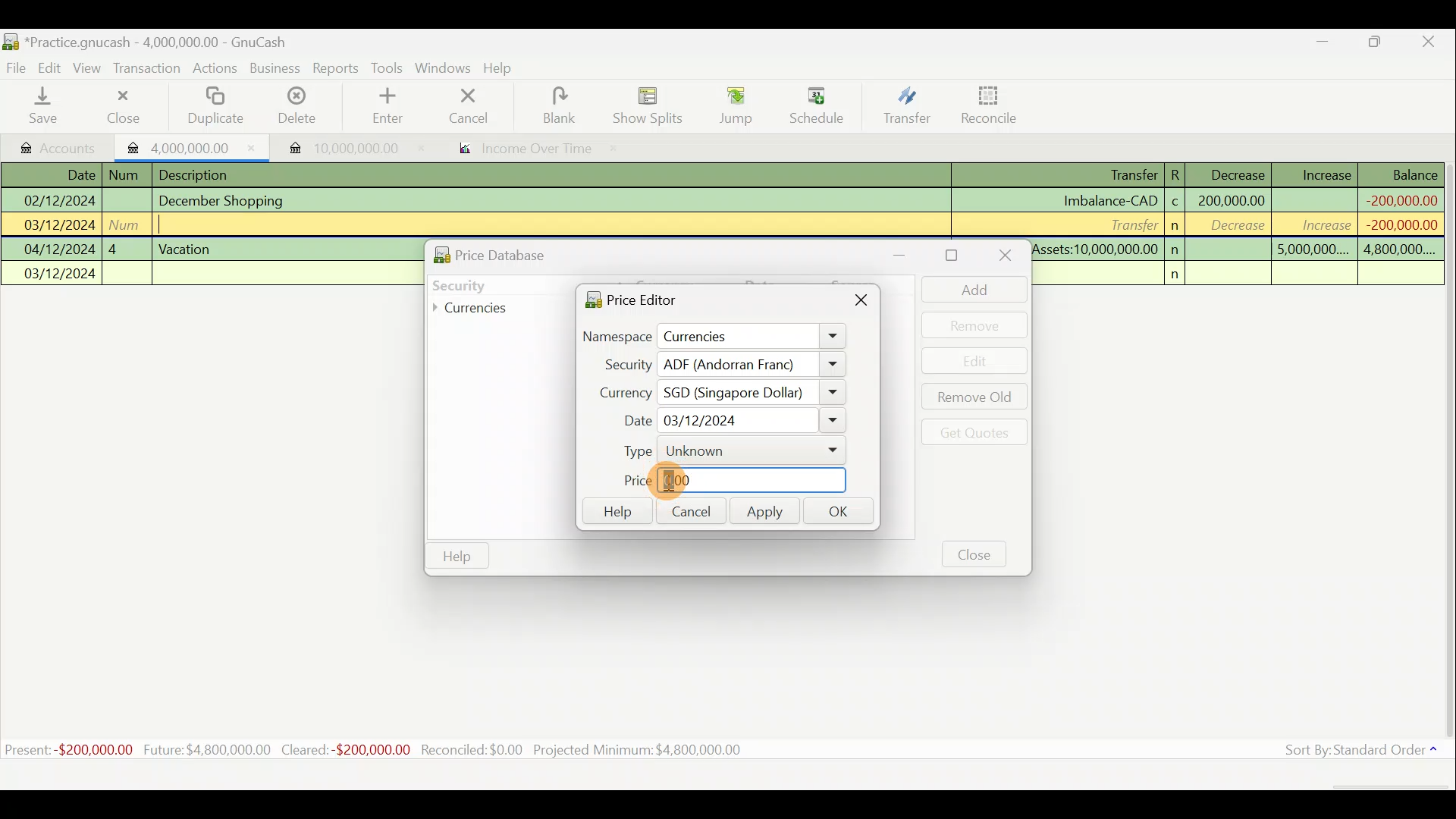 The image size is (1456, 819). I want to click on n, so click(1177, 249).